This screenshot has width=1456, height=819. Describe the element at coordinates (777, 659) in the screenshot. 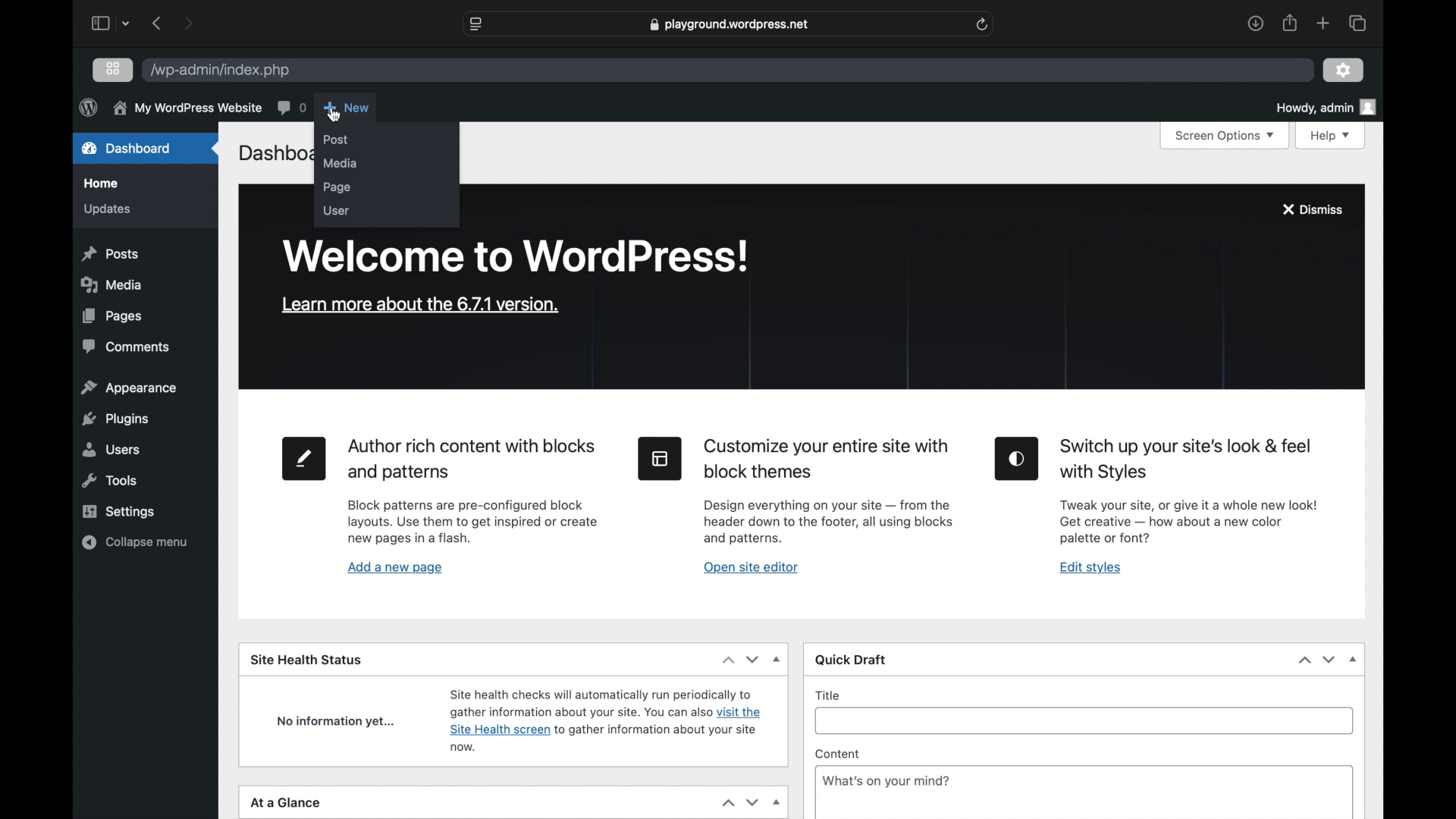

I see `dropdown` at that location.